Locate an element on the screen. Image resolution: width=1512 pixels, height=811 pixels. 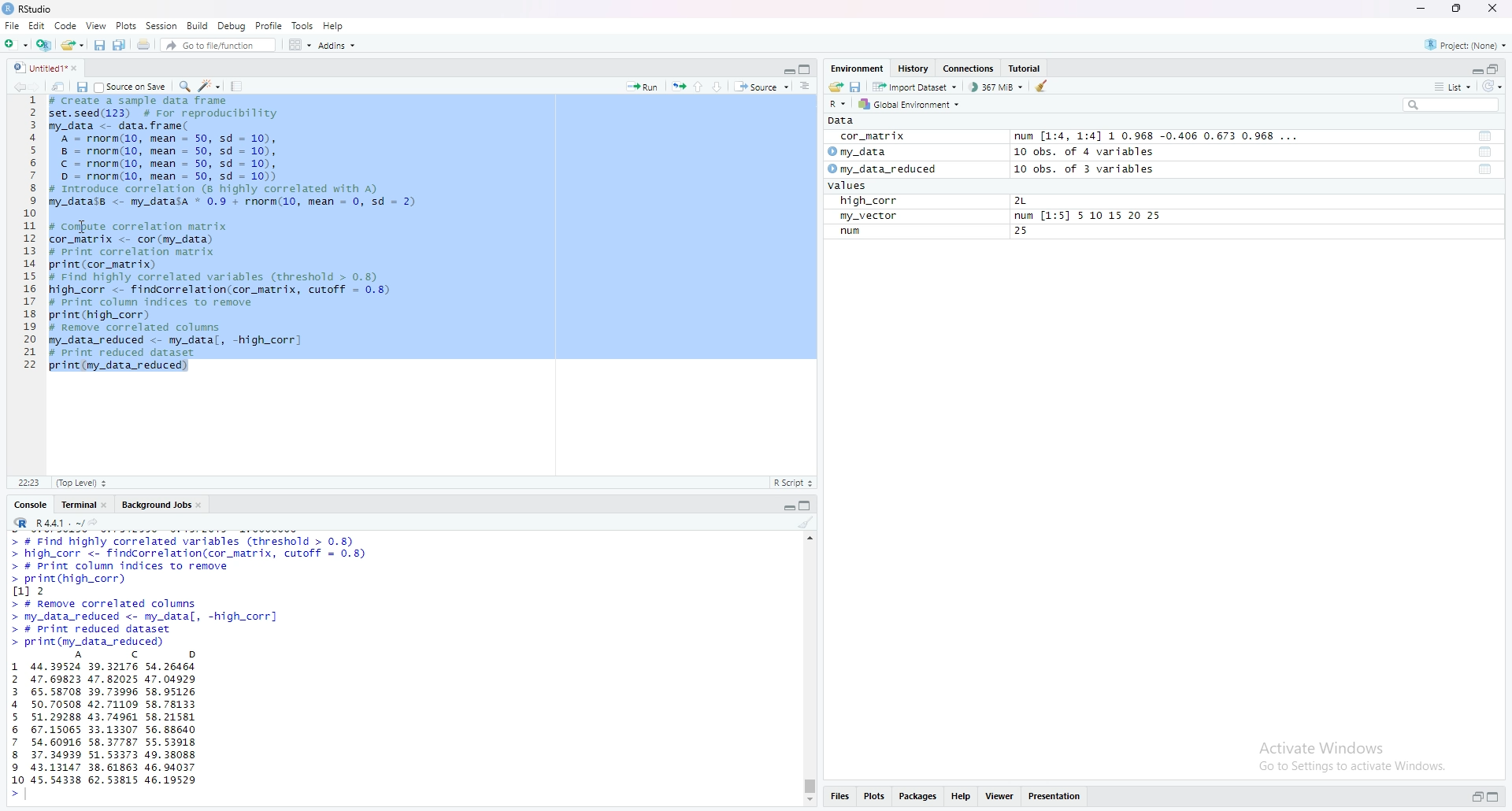
>>>> is located at coordinates (11, 624).